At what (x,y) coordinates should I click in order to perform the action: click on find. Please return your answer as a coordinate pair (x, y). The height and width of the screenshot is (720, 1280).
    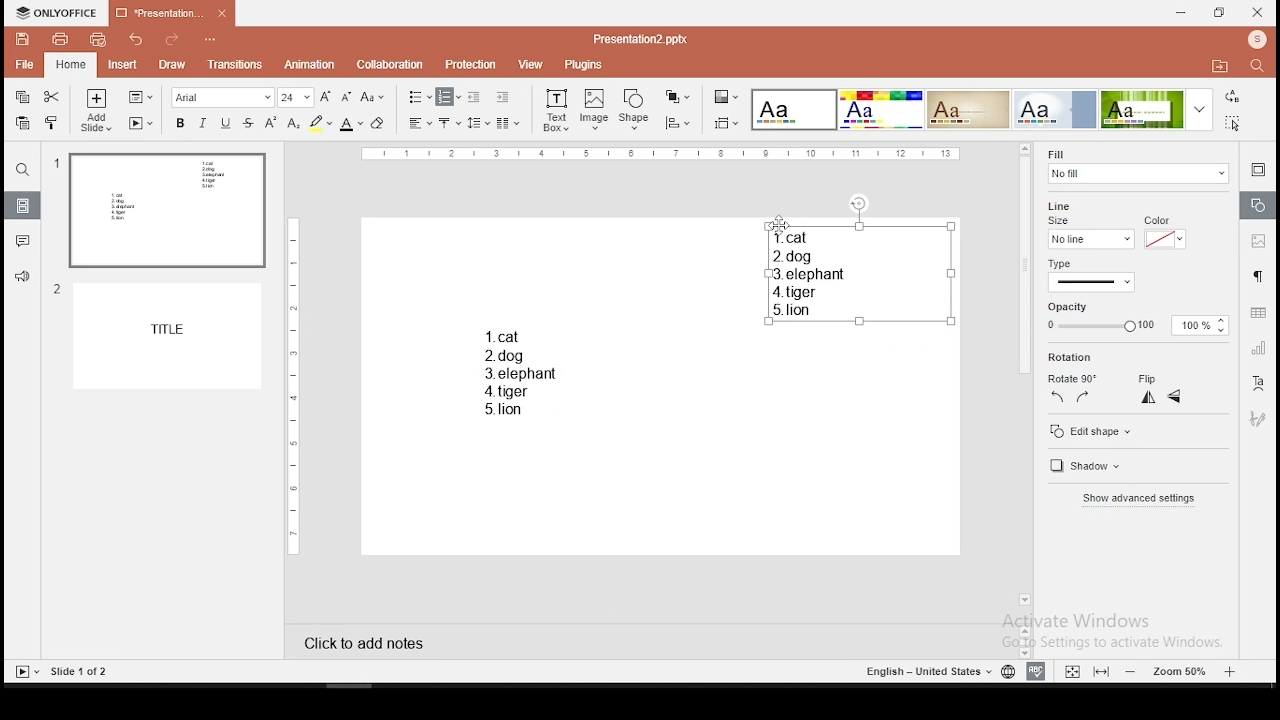
    Looking at the image, I should click on (21, 170).